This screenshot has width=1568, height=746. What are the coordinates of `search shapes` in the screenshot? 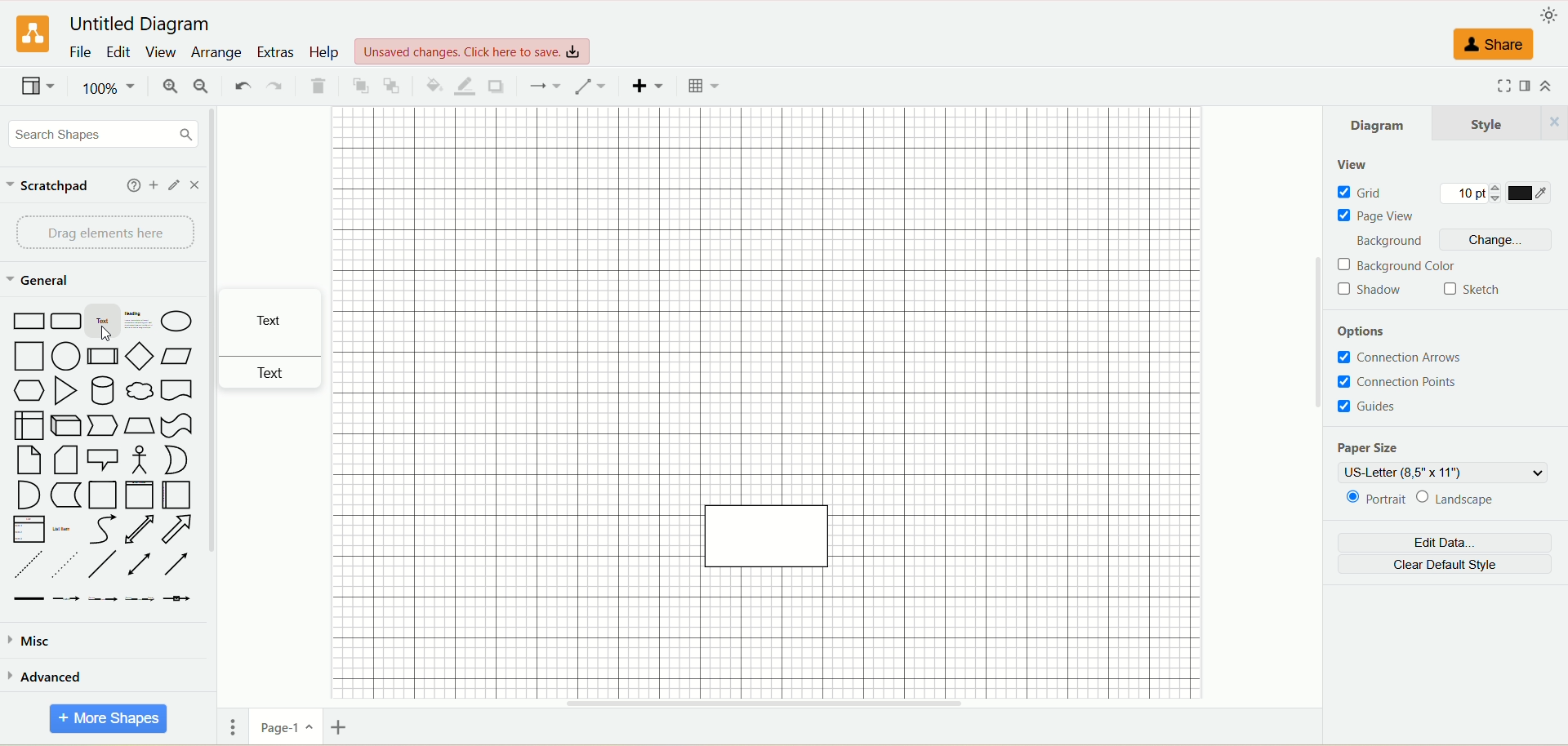 It's located at (104, 135).